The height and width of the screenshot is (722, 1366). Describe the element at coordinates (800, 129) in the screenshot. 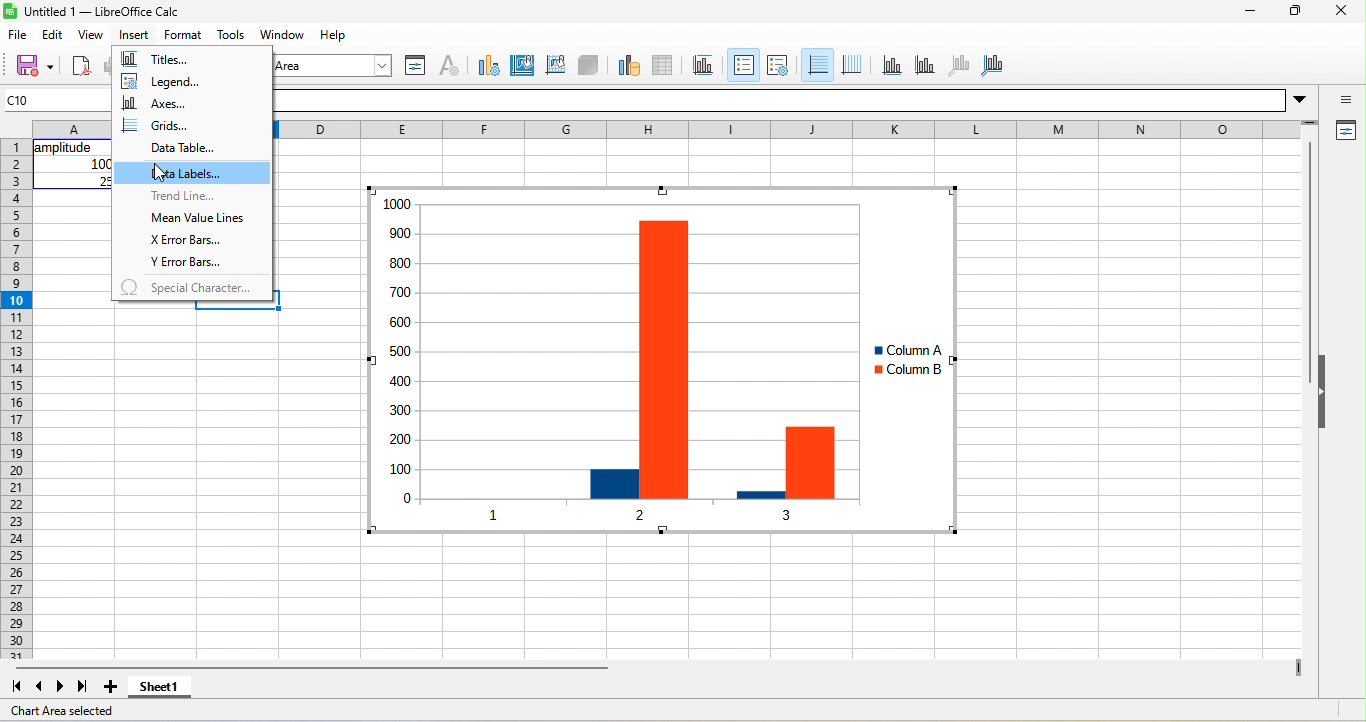

I see `column headings` at that location.